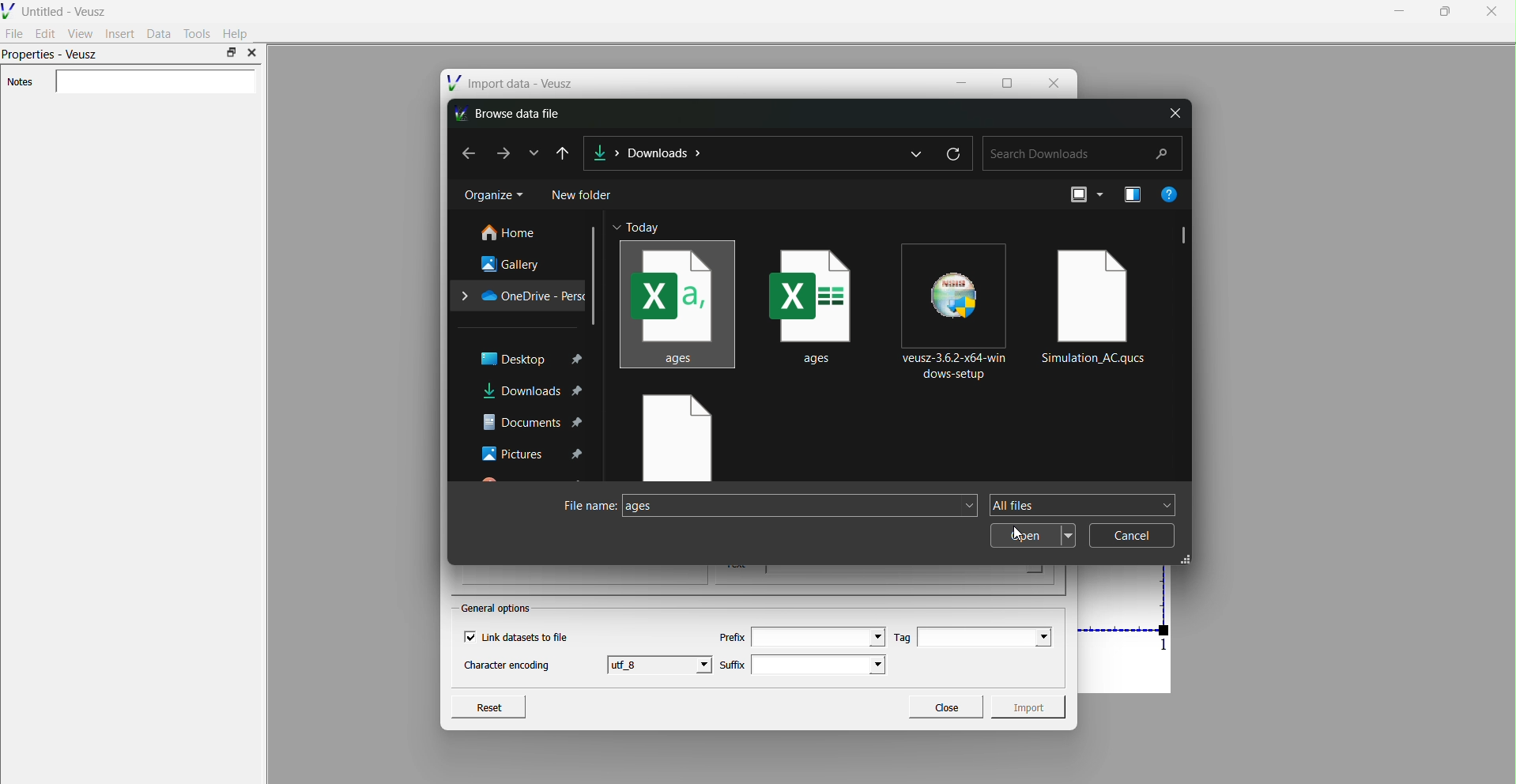  I want to click on Gallery, so click(514, 263).